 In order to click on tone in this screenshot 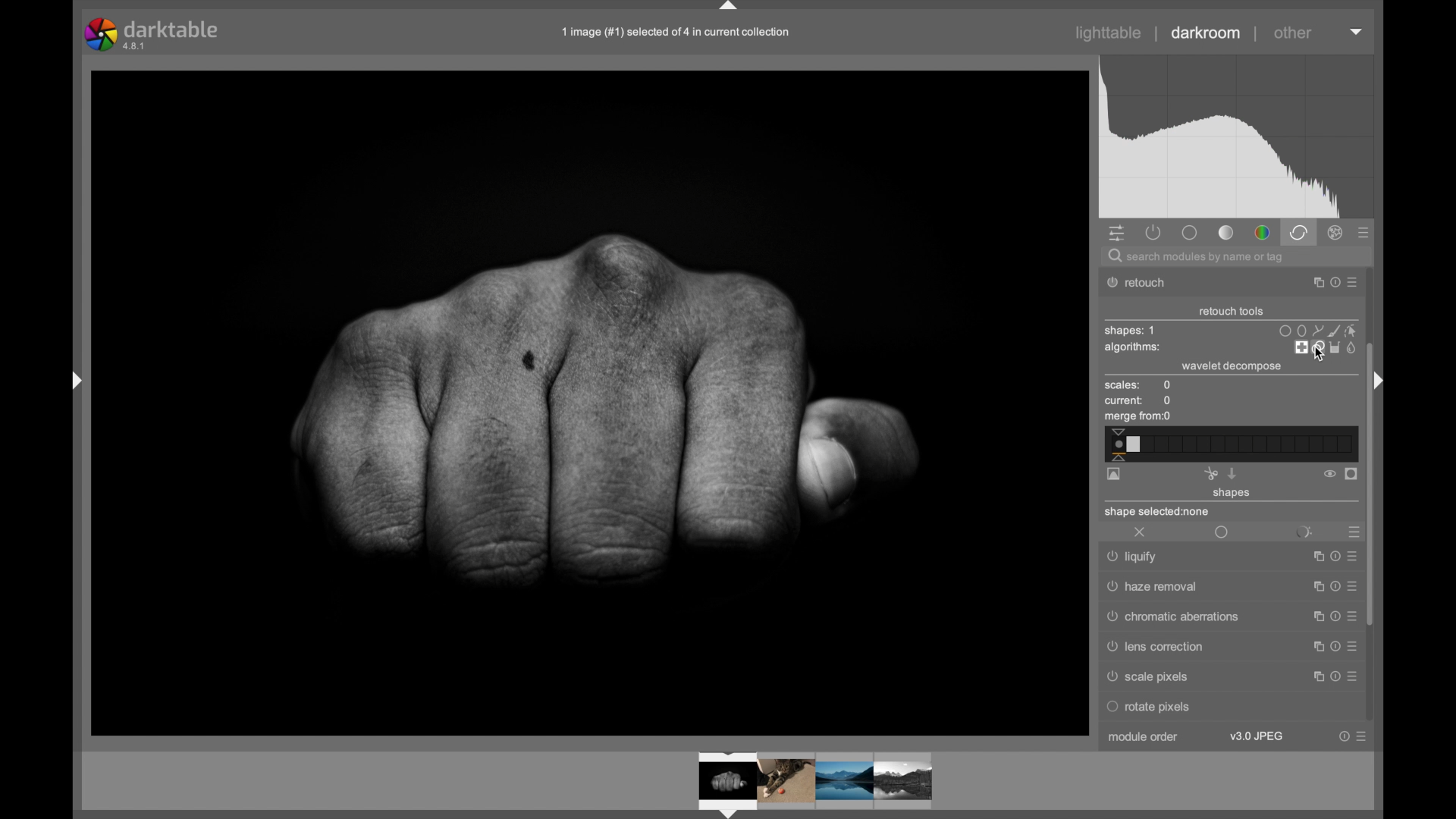, I will do `click(1227, 233)`.